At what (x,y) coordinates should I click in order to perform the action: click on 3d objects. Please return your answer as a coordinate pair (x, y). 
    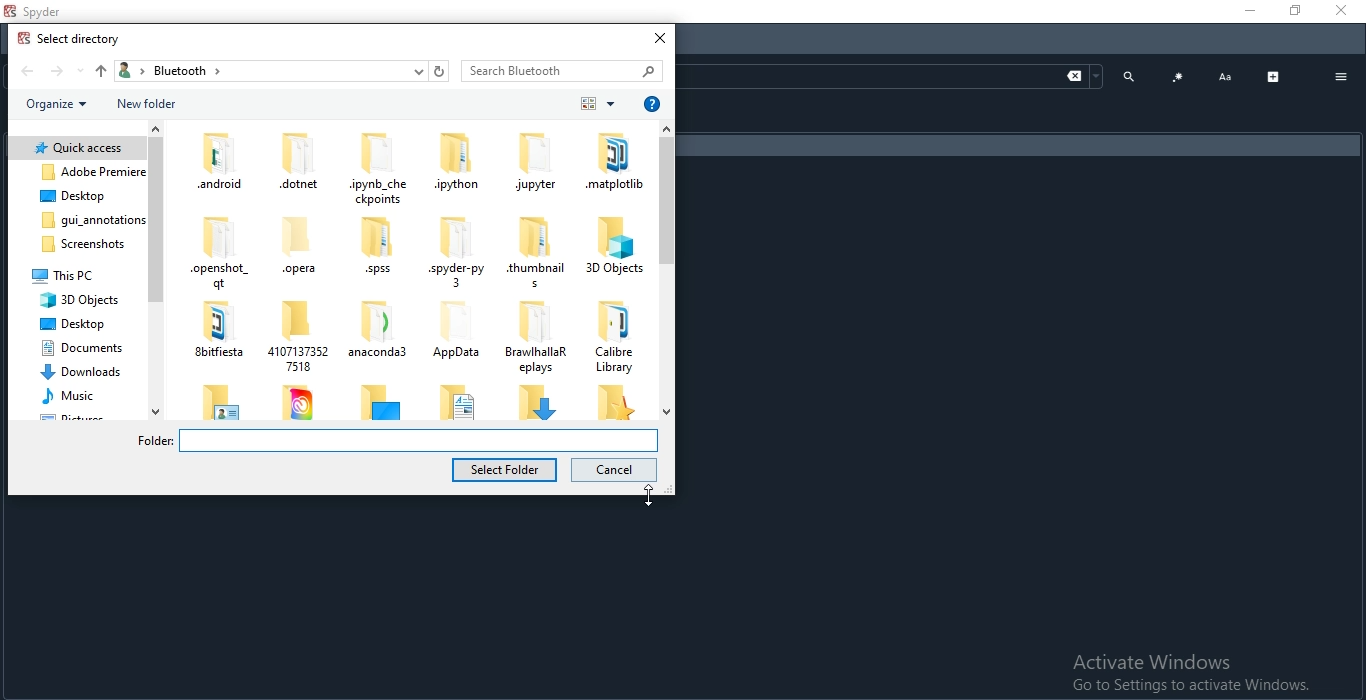
    Looking at the image, I should click on (612, 245).